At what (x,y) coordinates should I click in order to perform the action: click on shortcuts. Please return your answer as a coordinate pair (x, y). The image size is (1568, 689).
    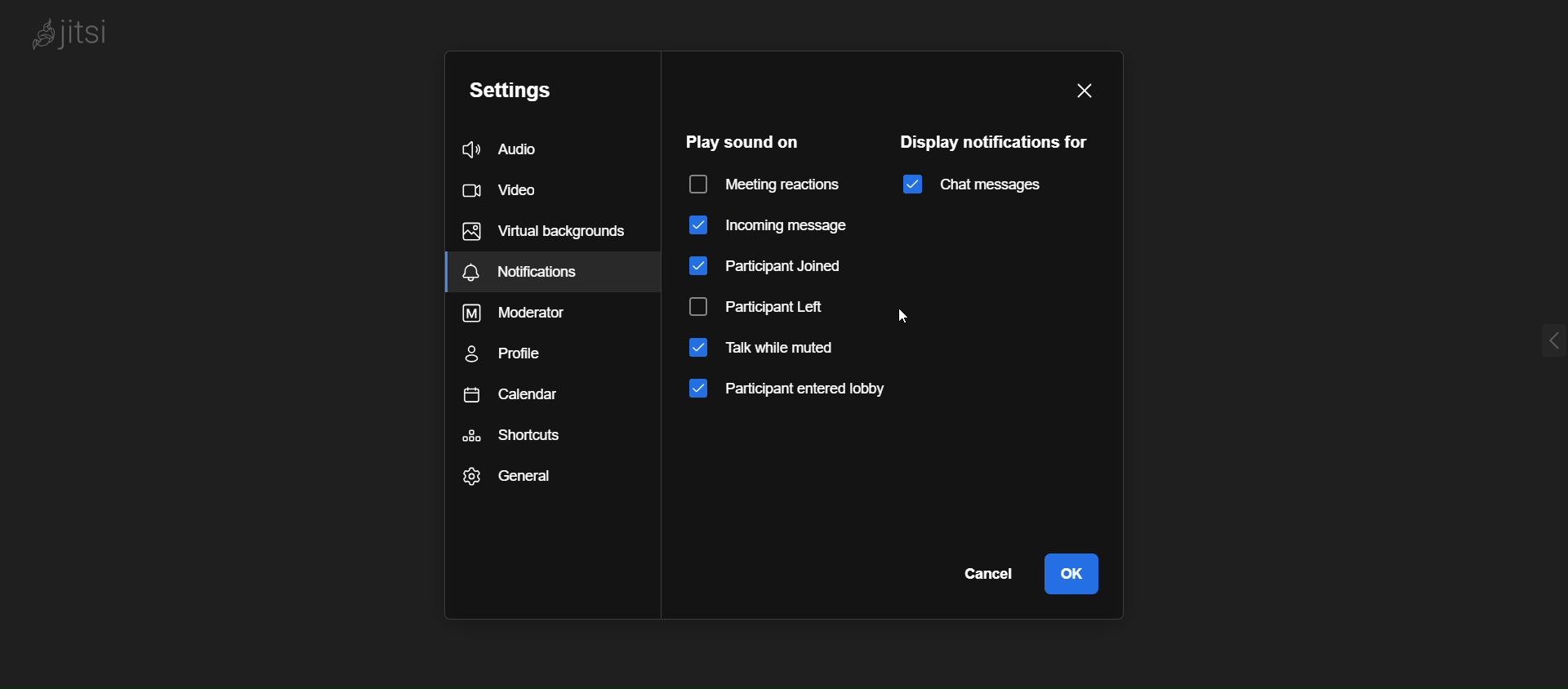
    Looking at the image, I should click on (535, 443).